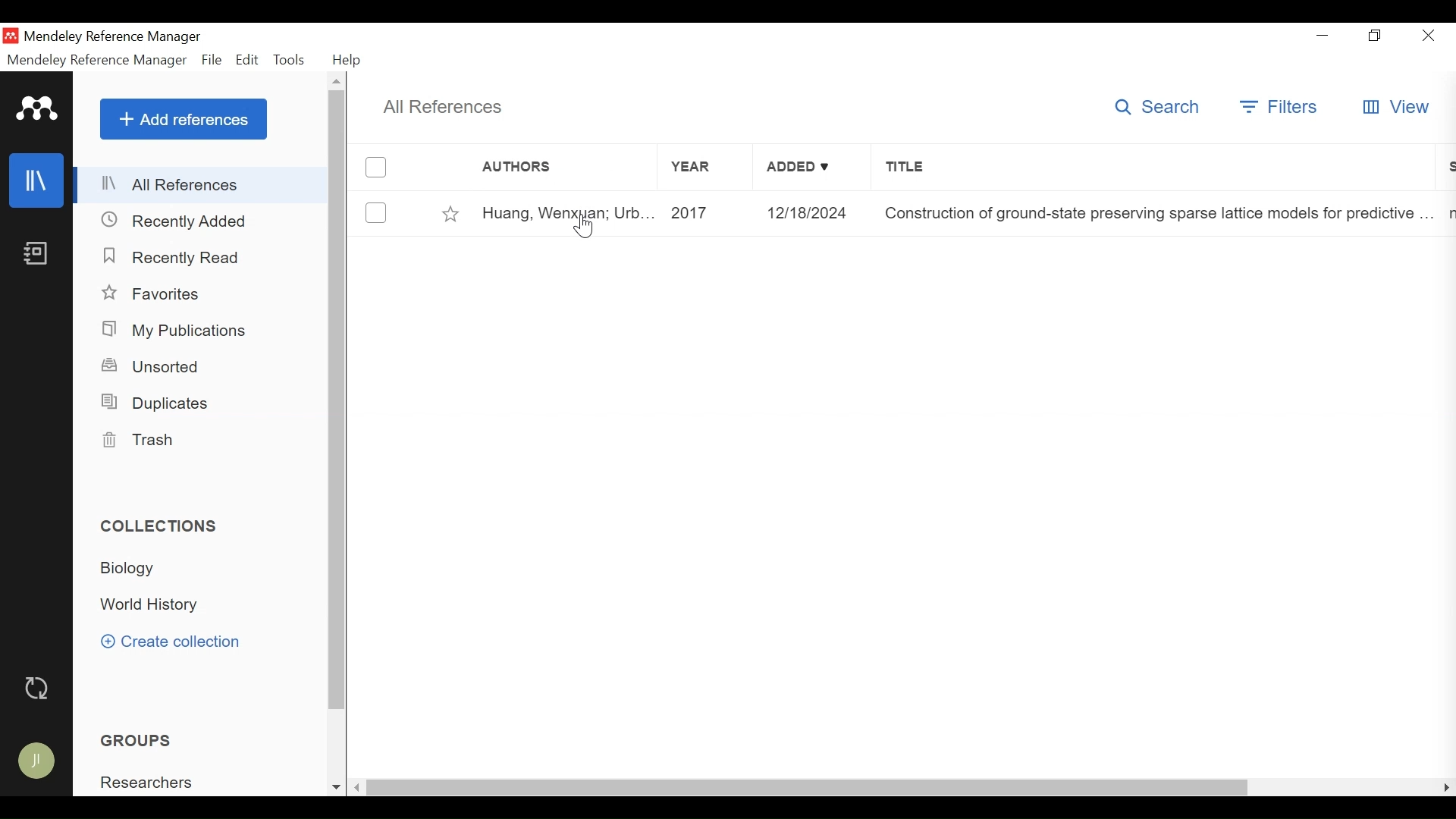 This screenshot has width=1456, height=819. I want to click on 2017, so click(706, 214).